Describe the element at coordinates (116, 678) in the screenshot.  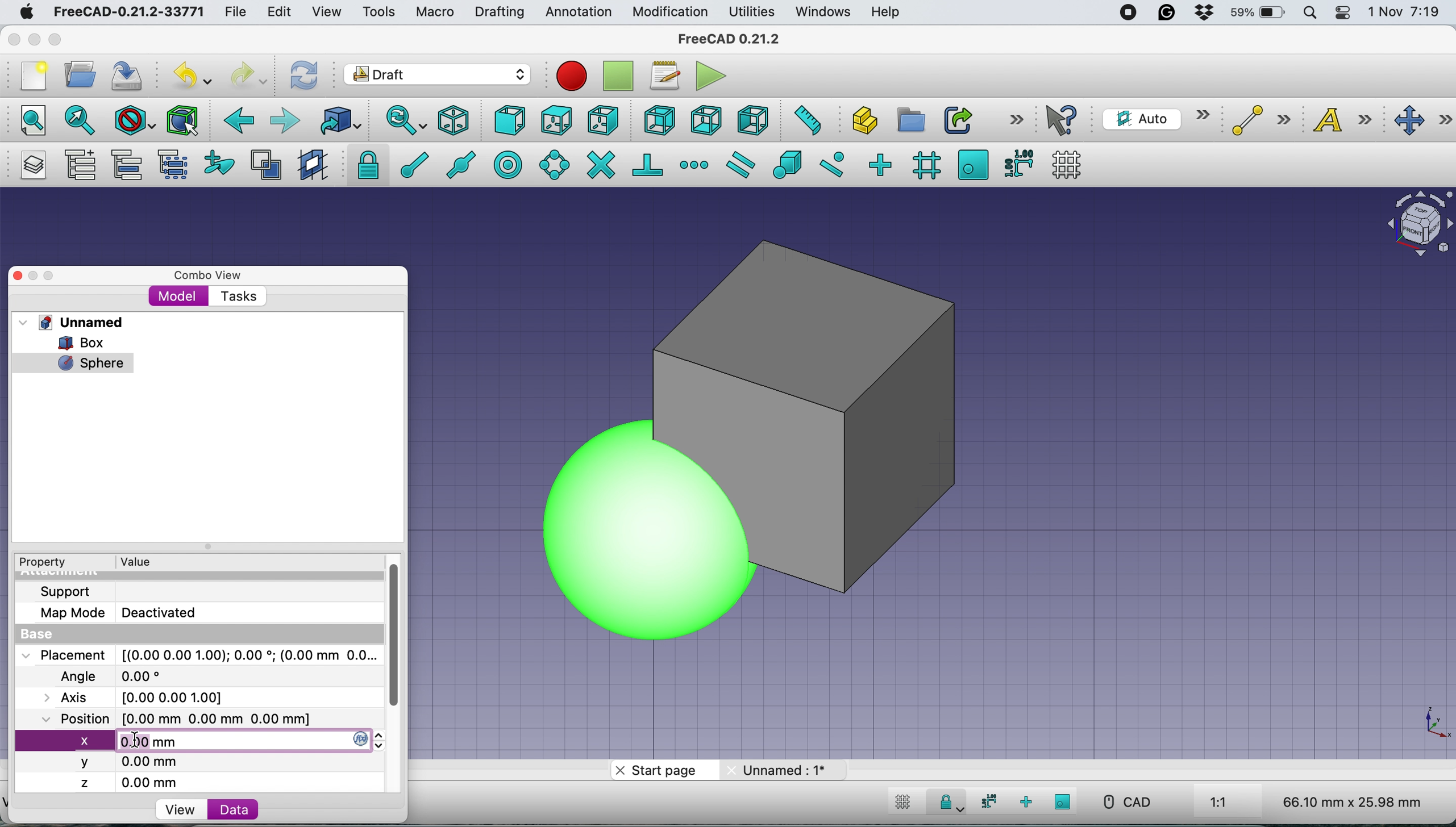
I see `angle` at that location.